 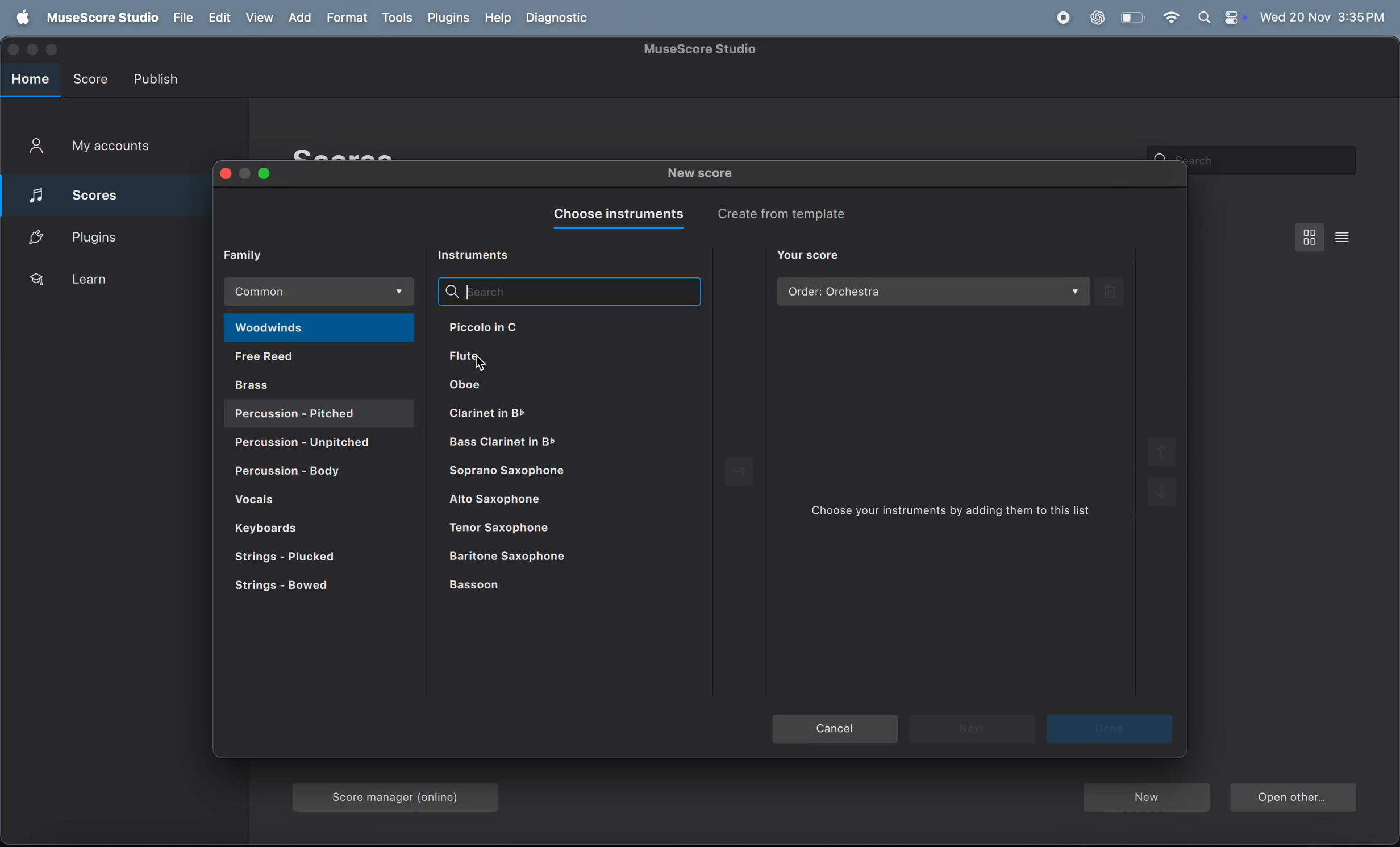 I want to click on edit, so click(x=218, y=18).